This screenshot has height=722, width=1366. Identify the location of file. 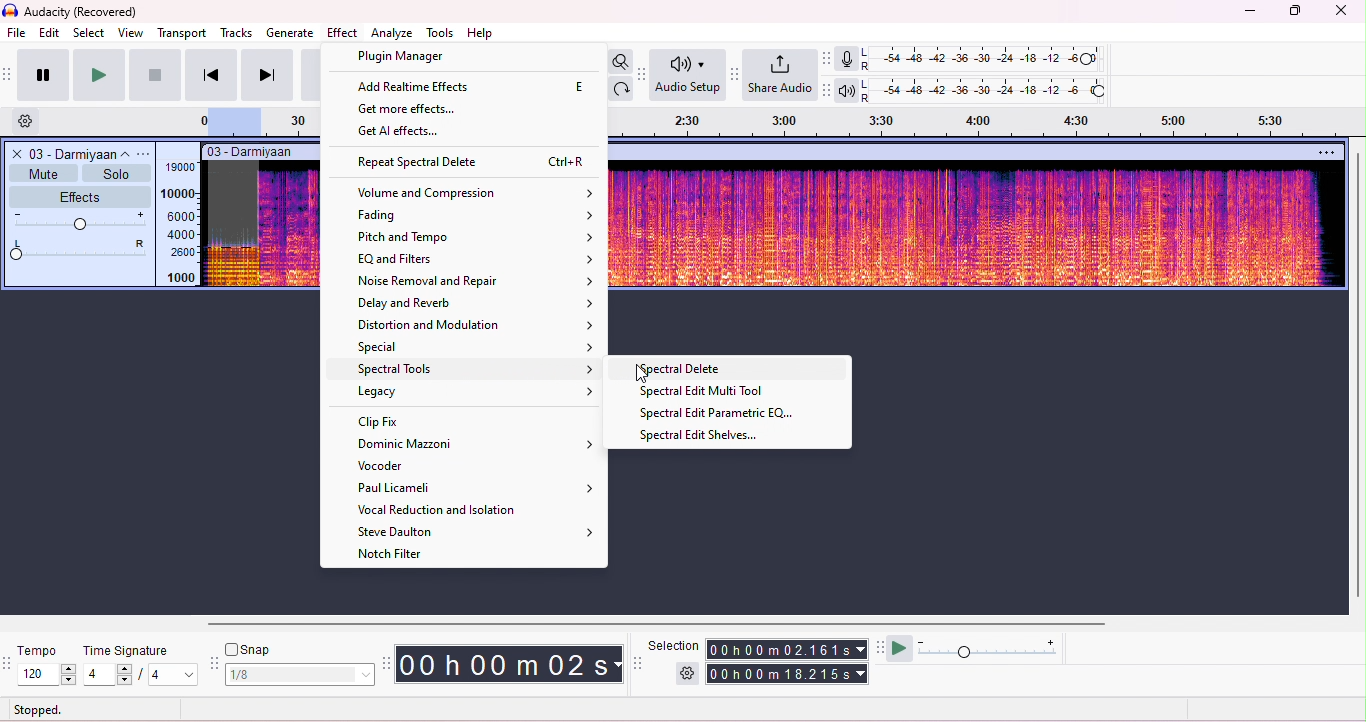
(16, 32).